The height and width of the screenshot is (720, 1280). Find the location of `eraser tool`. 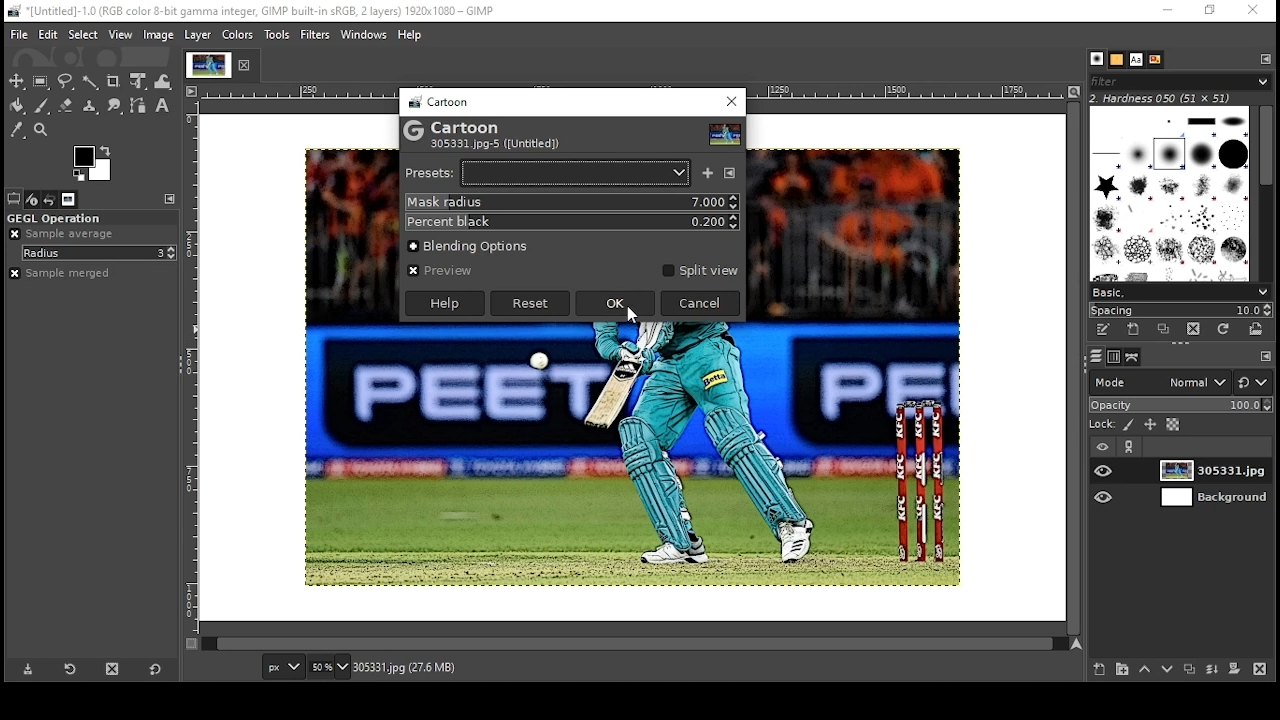

eraser tool is located at coordinates (65, 105).